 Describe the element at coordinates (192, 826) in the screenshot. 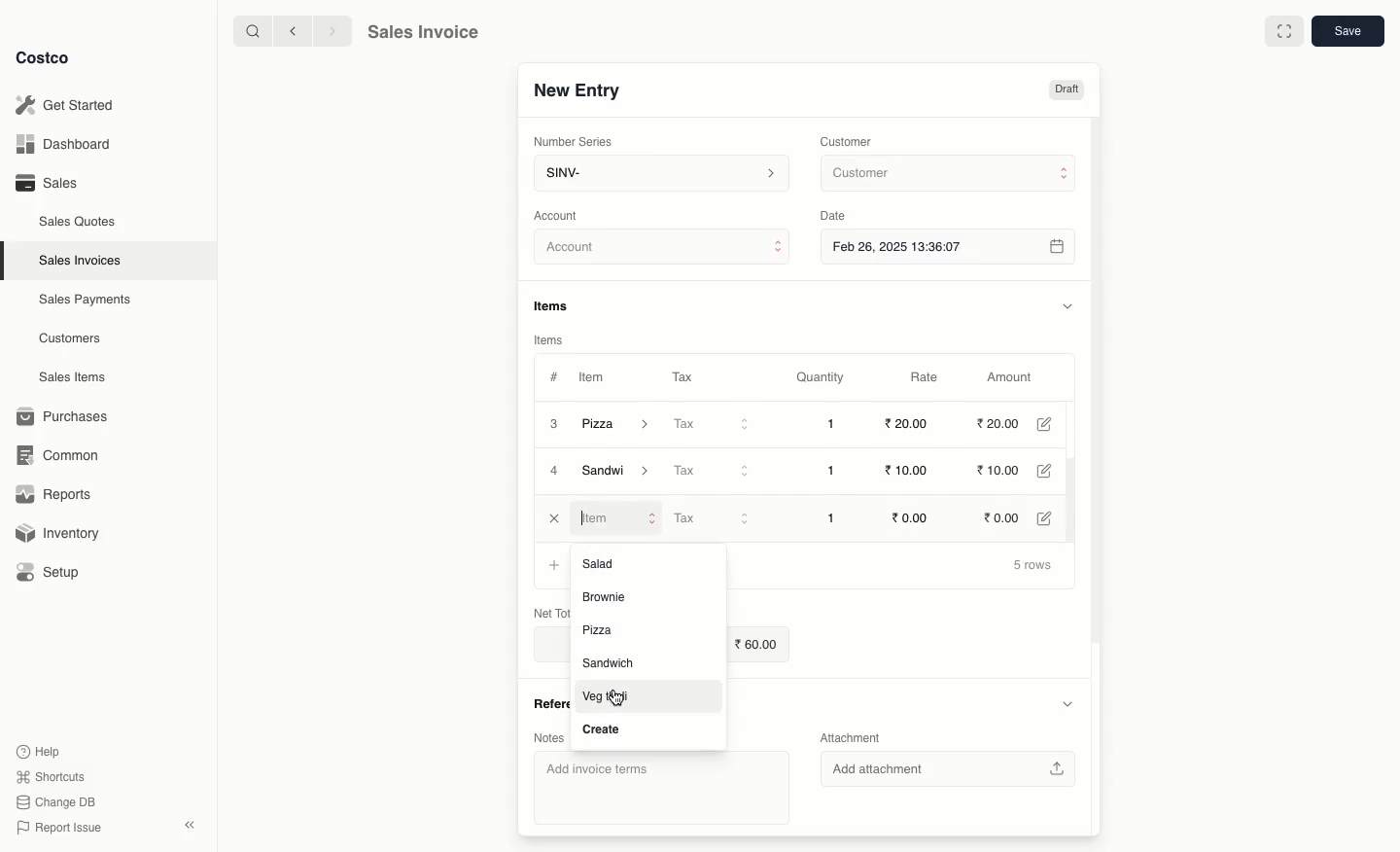

I see `Collapse` at that location.